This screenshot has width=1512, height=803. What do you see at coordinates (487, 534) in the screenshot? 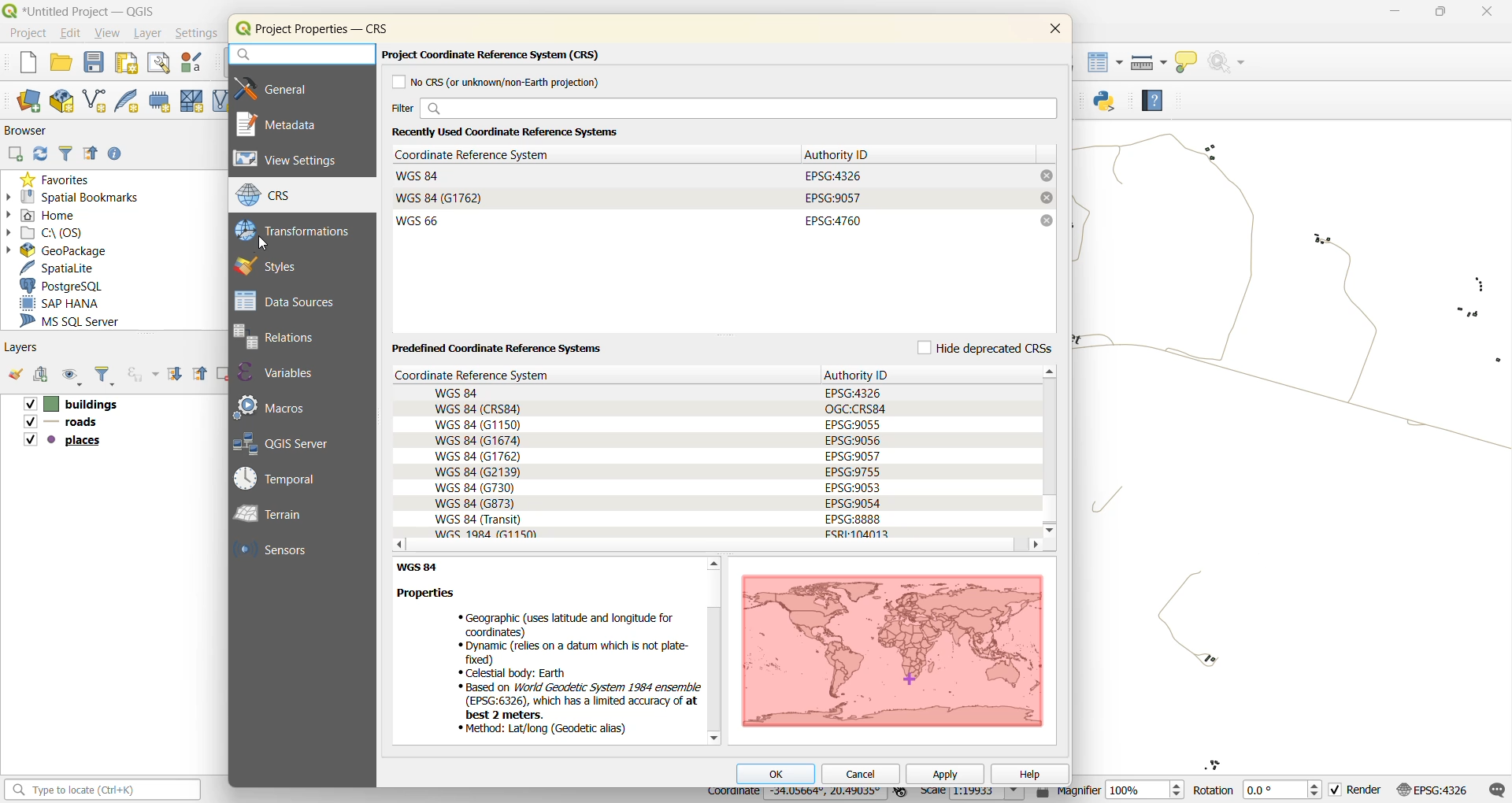
I see `WGS 1984 (G1150)` at bounding box center [487, 534].